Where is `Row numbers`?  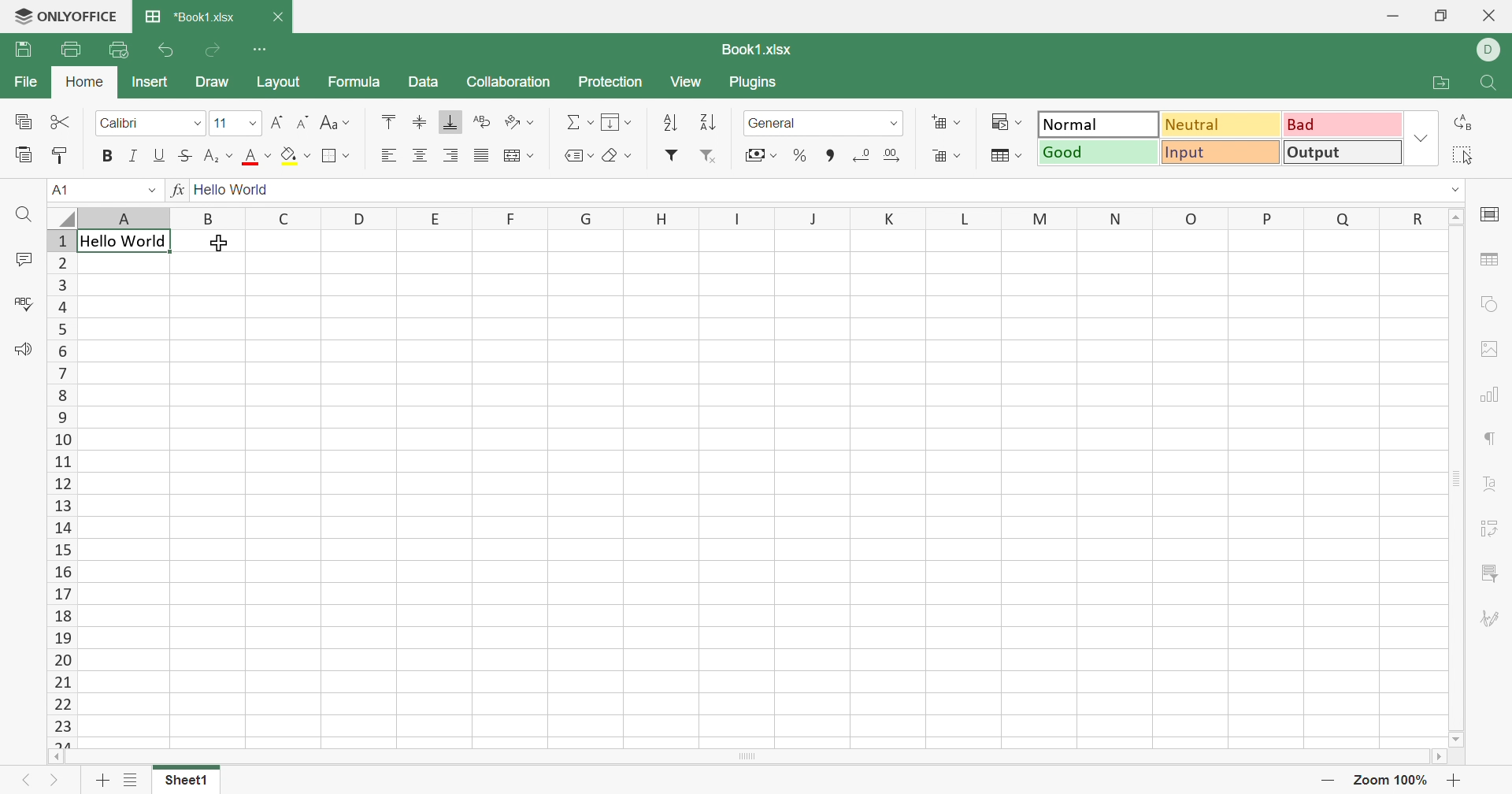 Row numbers is located at coordinates (62, 488).